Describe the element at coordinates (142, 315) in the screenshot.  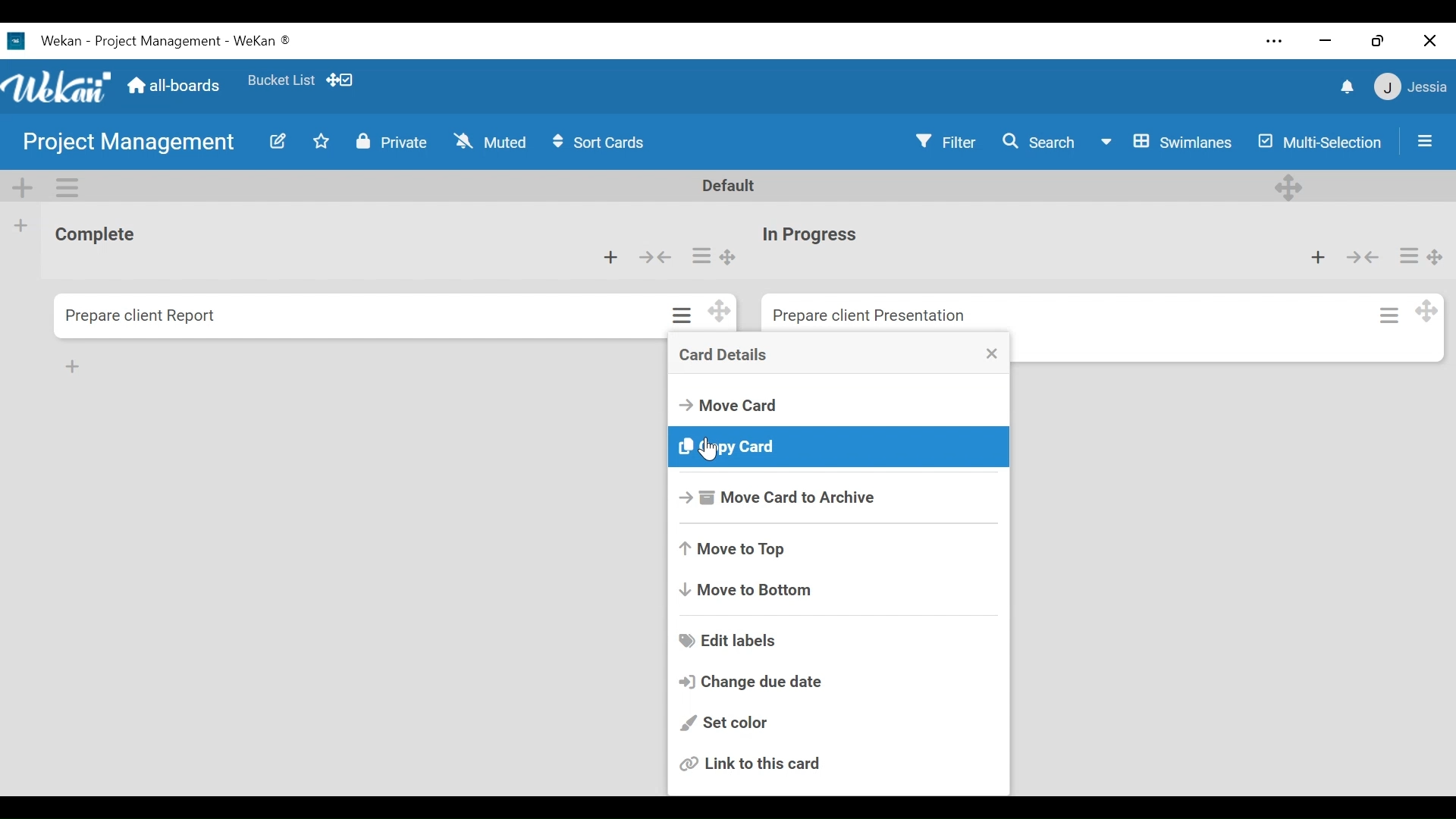
I see `Card Title` at that location.